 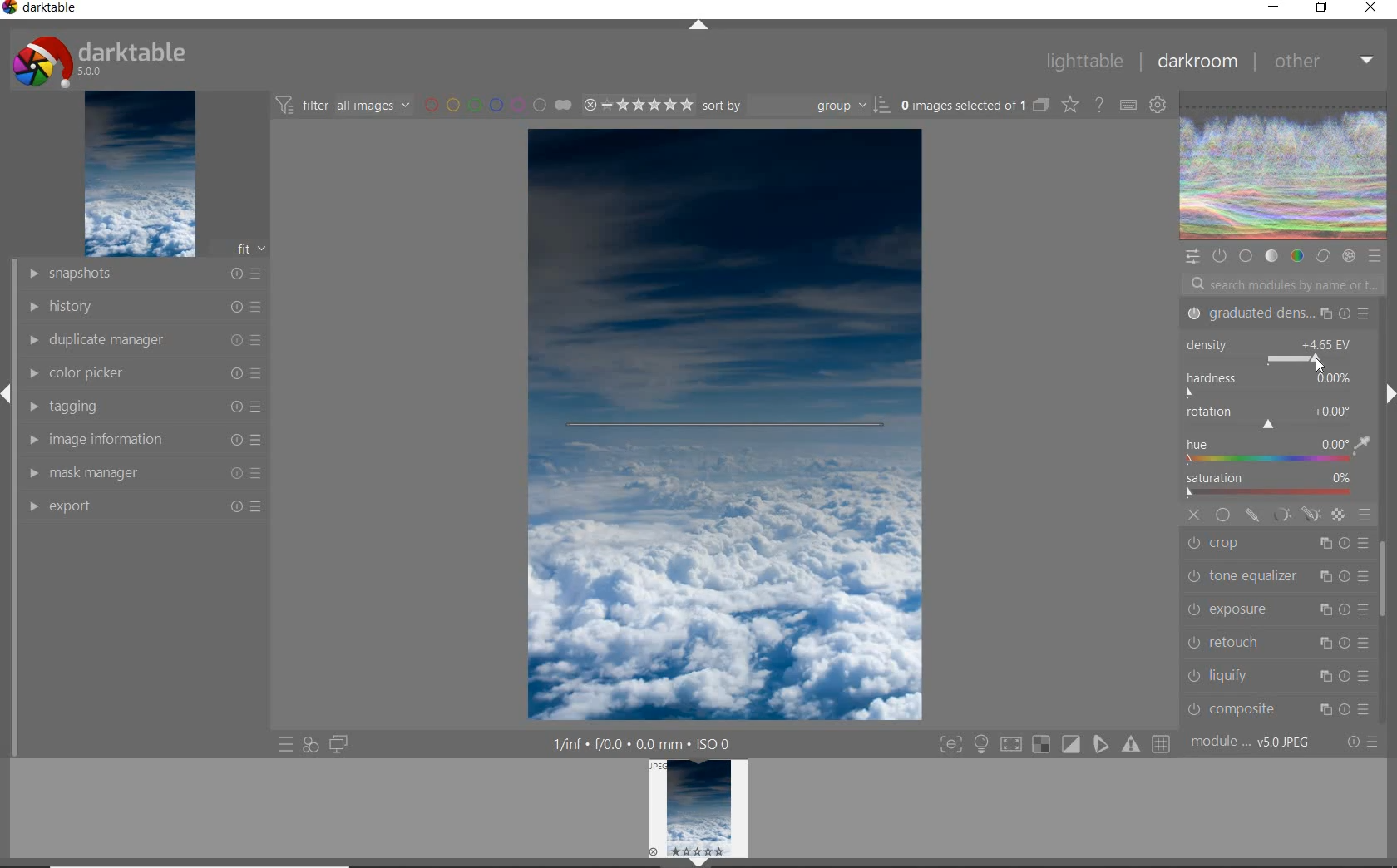 I want to click on MINIMIZE, so click(x=1273, y=6).